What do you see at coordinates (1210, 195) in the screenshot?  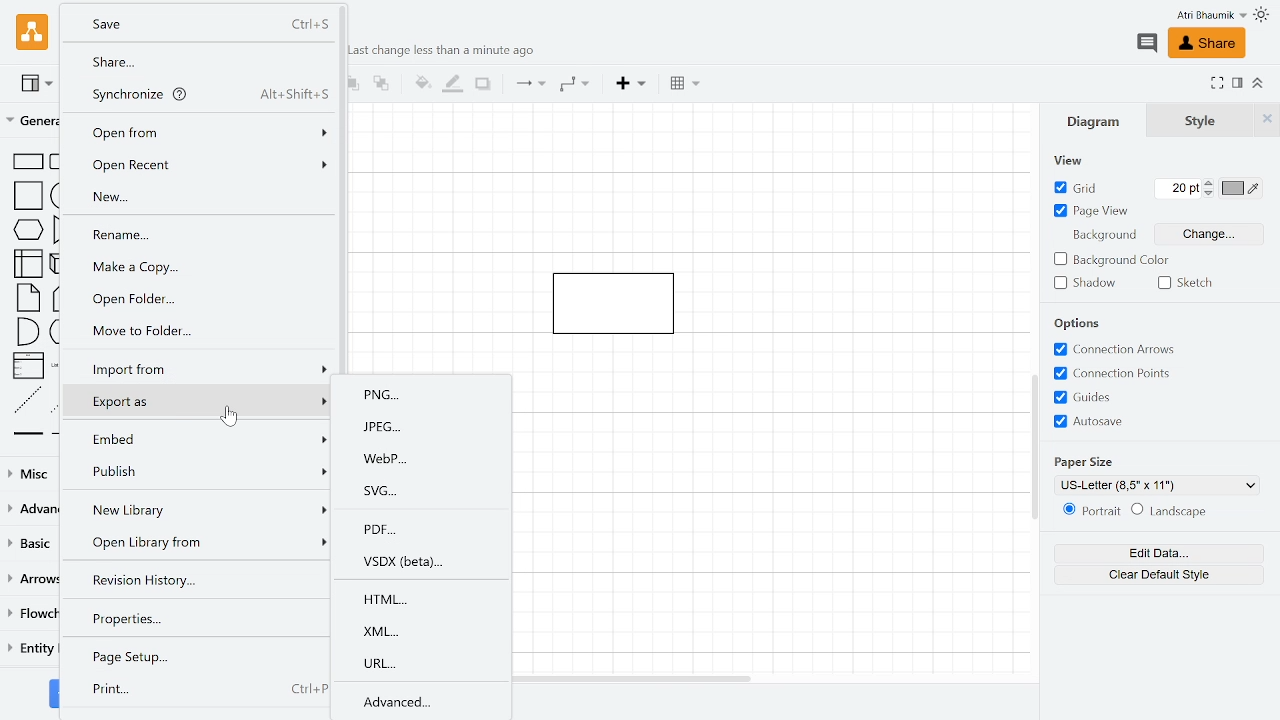 I see `Decrease grid pts` at bounding box center [1210, 195].